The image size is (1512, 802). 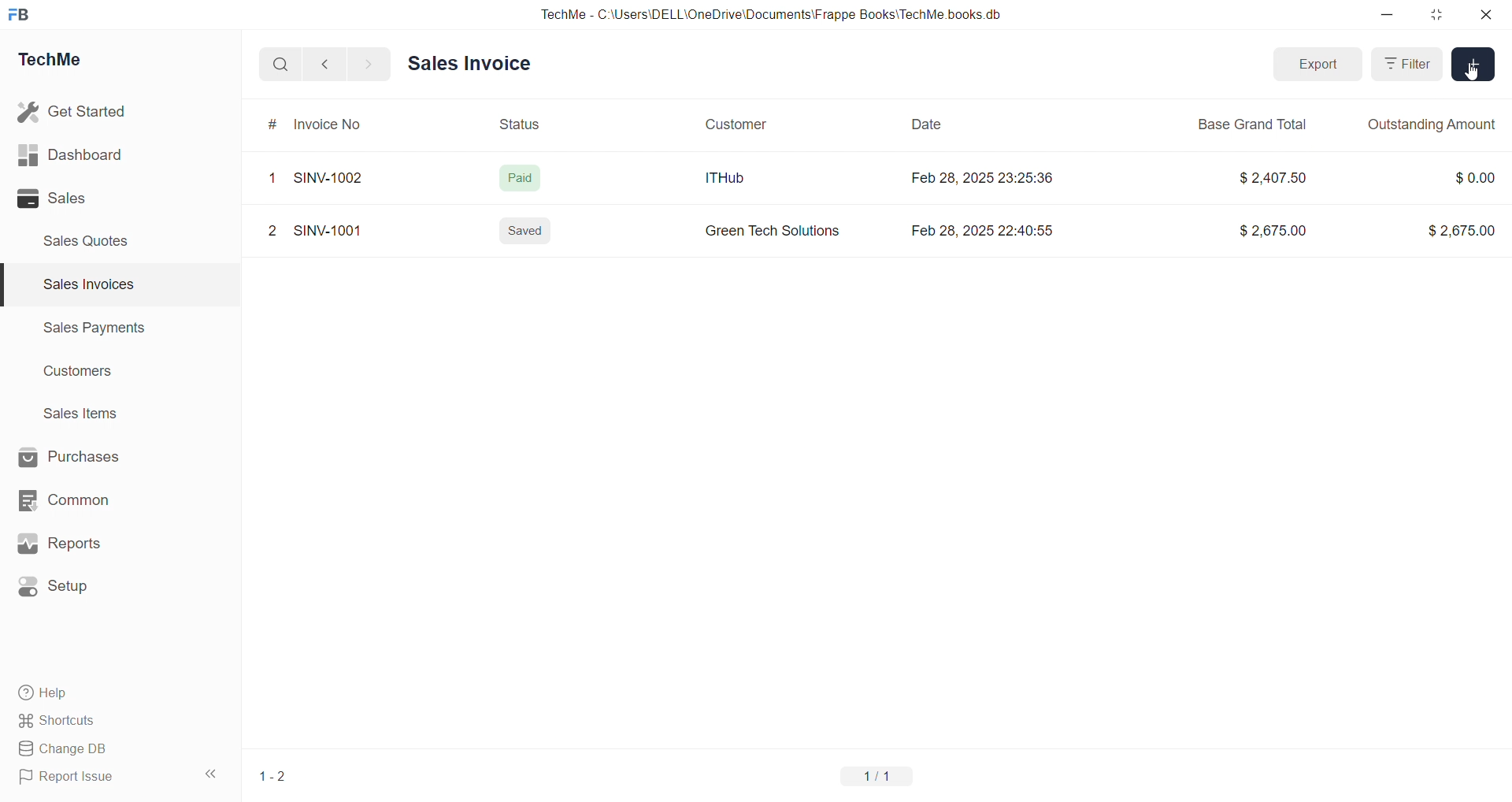 What do you see at coordinates (73, 779) in the screenshot?
I see ` Report Issue` at bounding box center [73, 779].